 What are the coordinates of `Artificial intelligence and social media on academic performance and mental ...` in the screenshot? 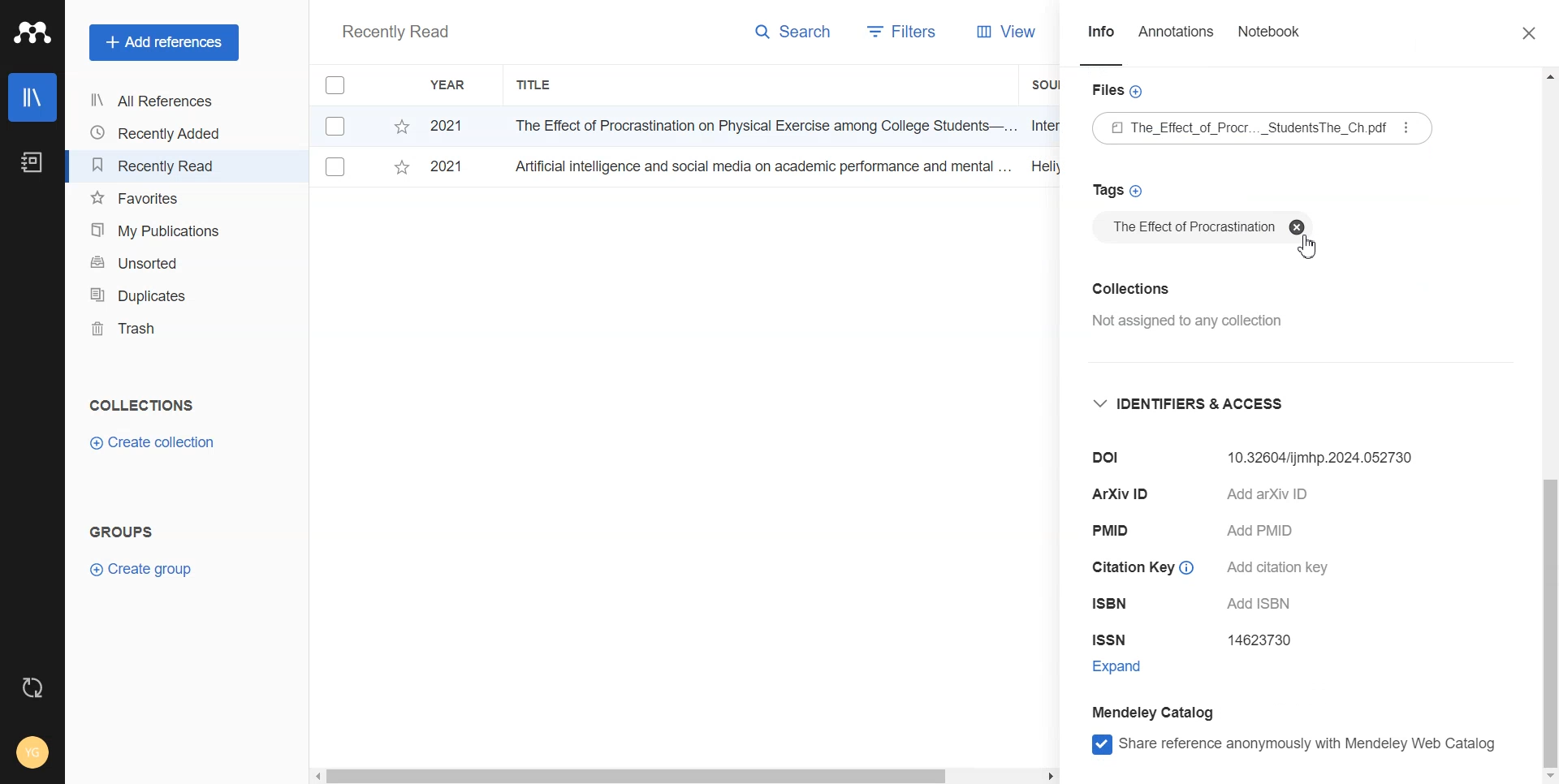 It's located at (760, 166).